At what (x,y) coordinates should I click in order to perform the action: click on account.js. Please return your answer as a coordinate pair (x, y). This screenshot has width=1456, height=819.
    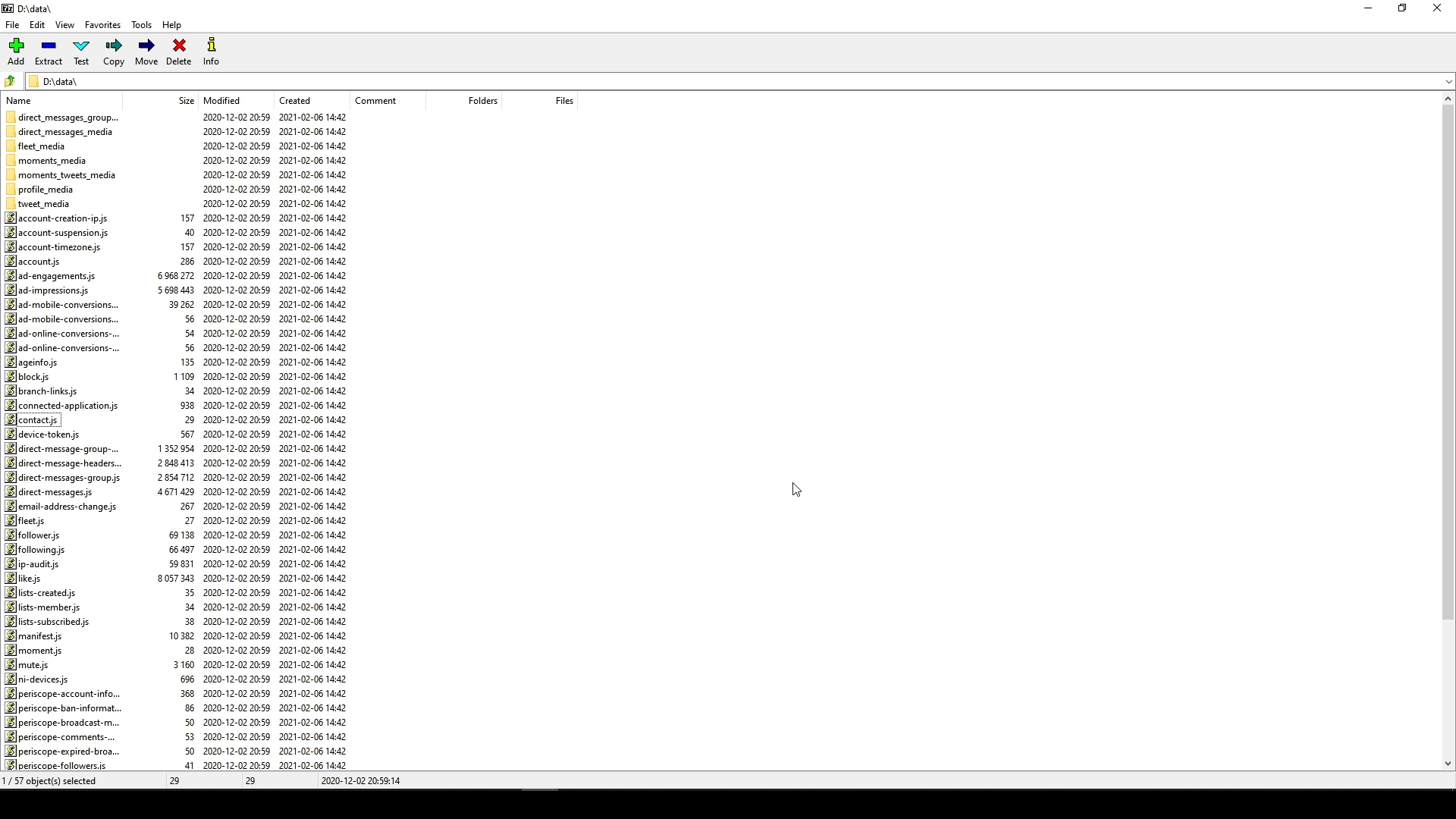
    Looking at the image, I should click on (38, 260).